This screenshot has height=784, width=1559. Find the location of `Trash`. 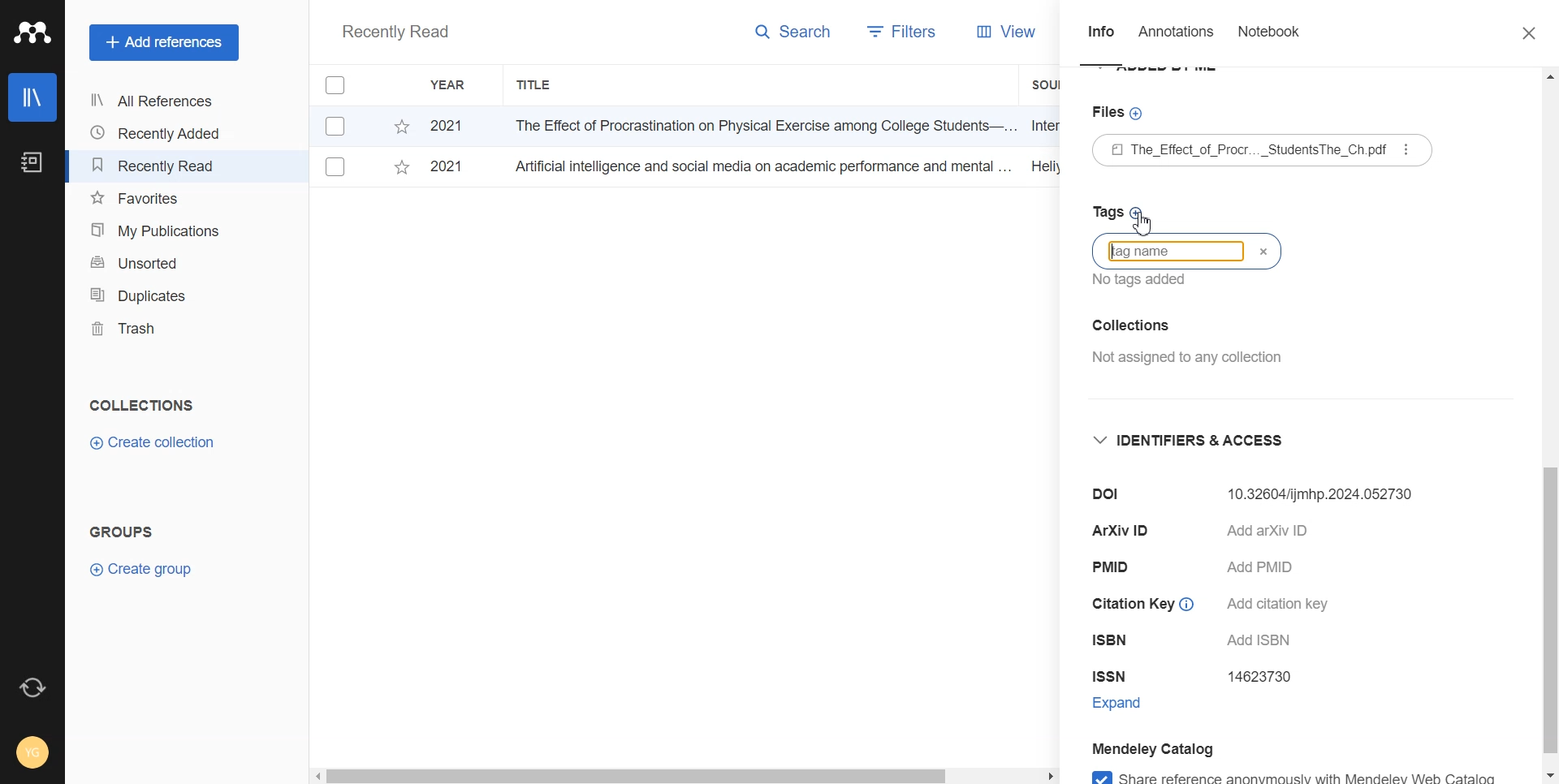

Trash is located at coordinates (159, 329).